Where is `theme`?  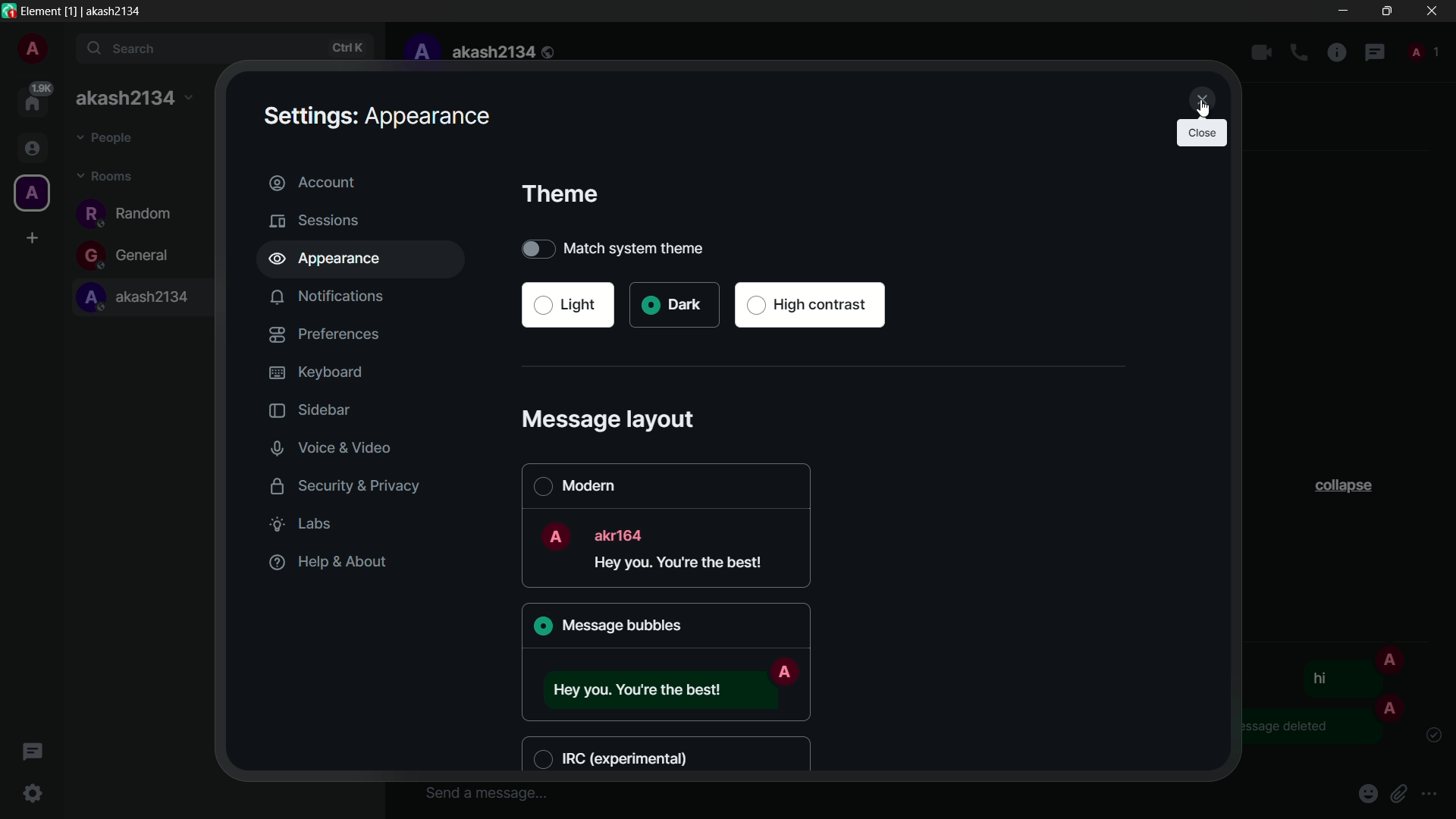 theme is located at coordinates (560, 194).